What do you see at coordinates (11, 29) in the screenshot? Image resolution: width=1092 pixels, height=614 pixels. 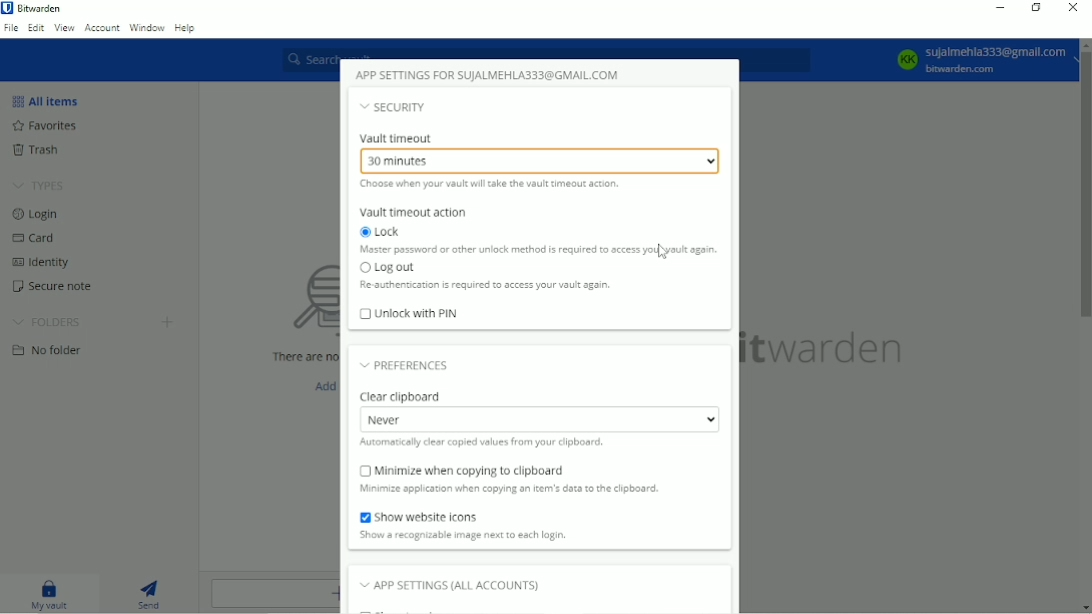 I see `File` at bounding box center [11, 29].